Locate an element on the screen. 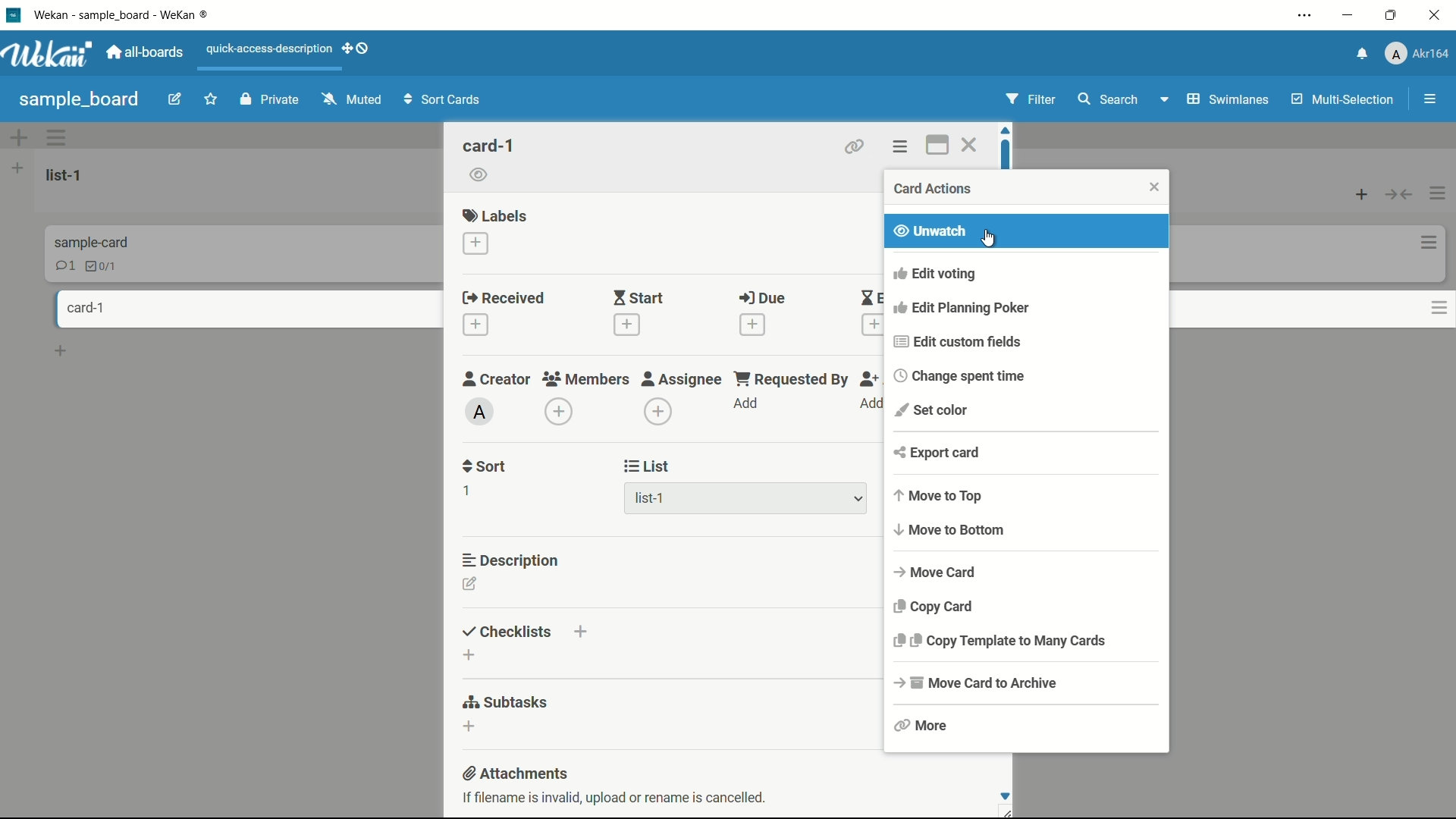  1 is located at coordinates (466, 489).